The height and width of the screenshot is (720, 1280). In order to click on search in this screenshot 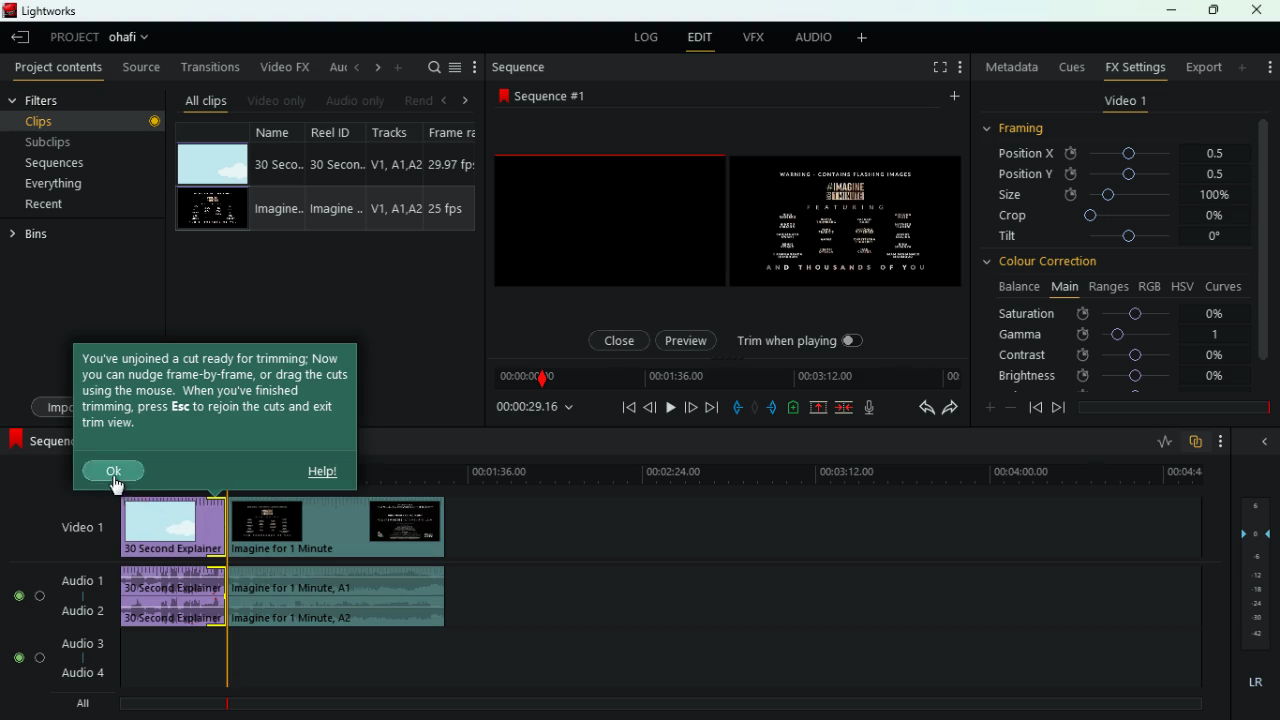, I will do `click(432, 67)`.